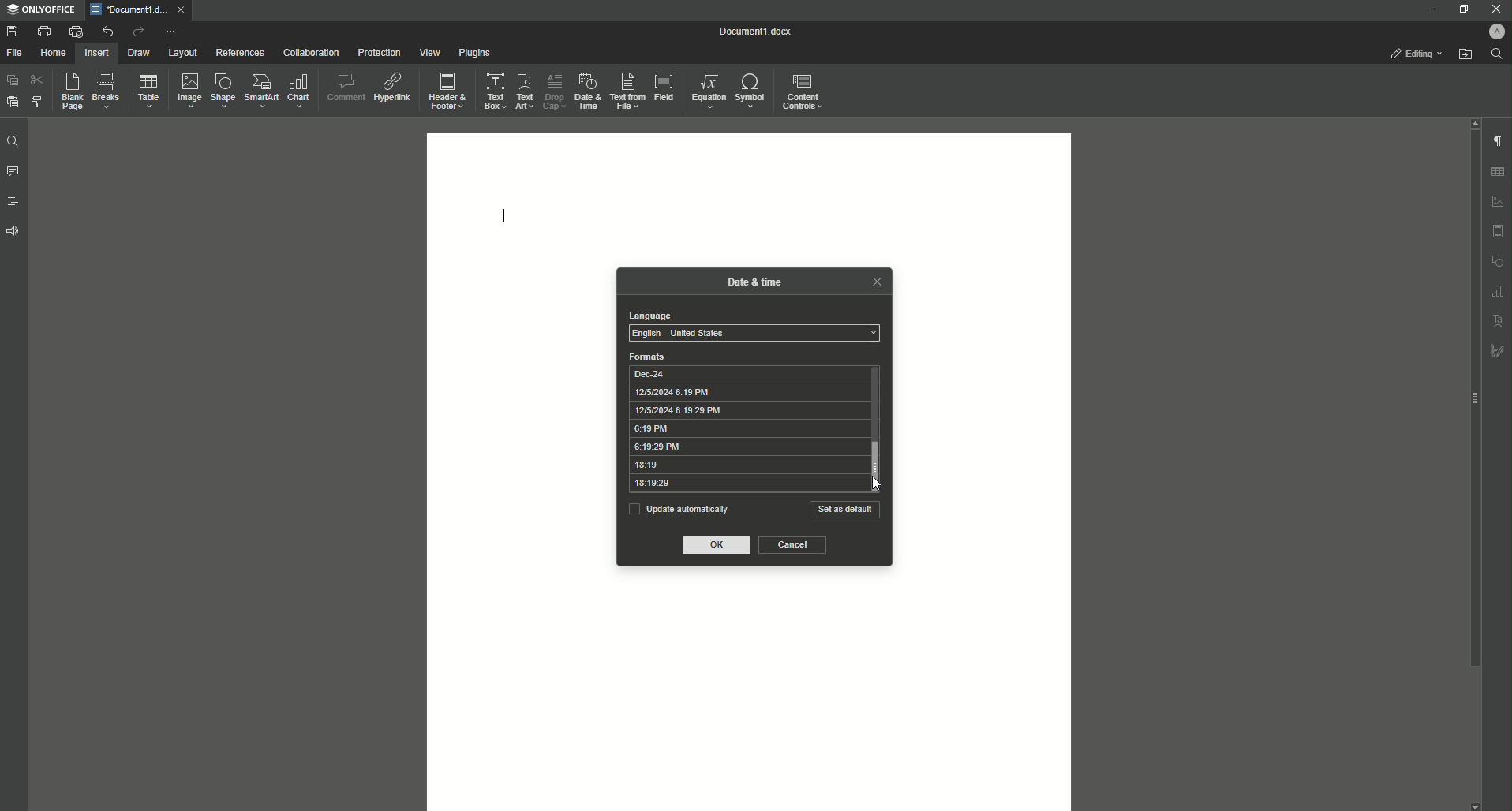  I want to click on signature settings, so click(1497, 349).